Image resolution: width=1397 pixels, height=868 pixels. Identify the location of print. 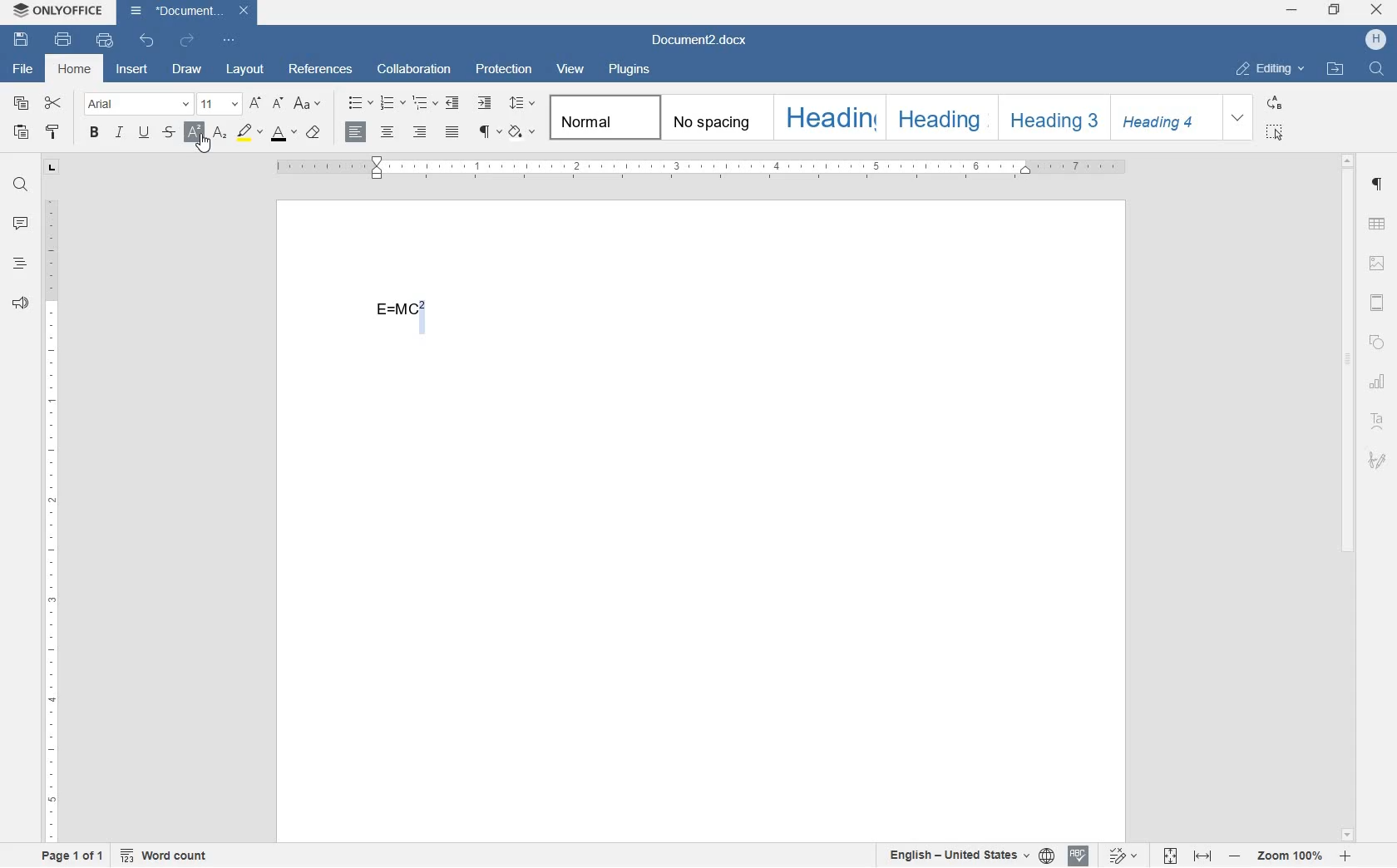
(63, 41).